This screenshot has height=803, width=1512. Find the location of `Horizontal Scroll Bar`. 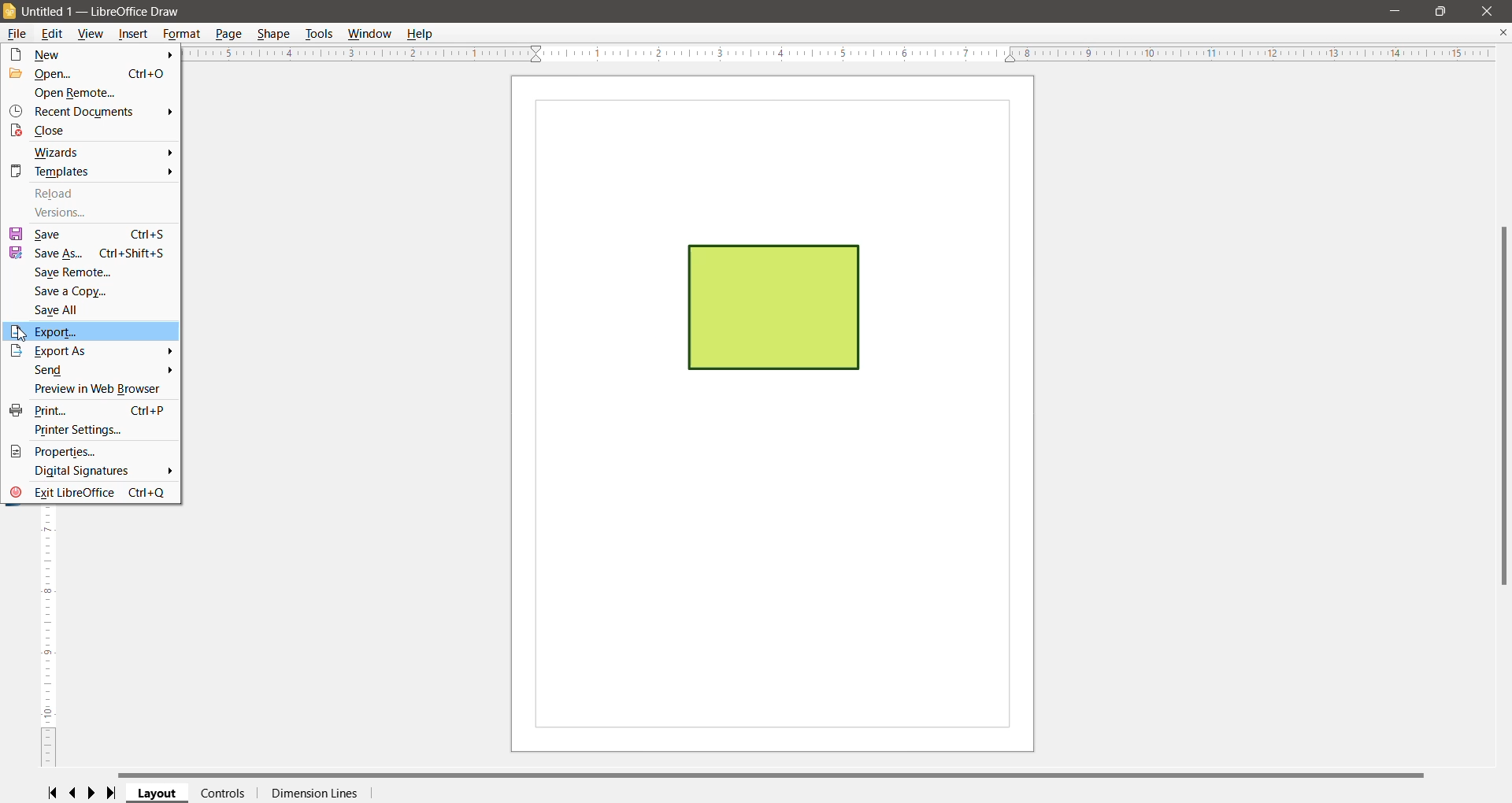

Horizontal Scroll Bar is located at coordinates (780, 774).